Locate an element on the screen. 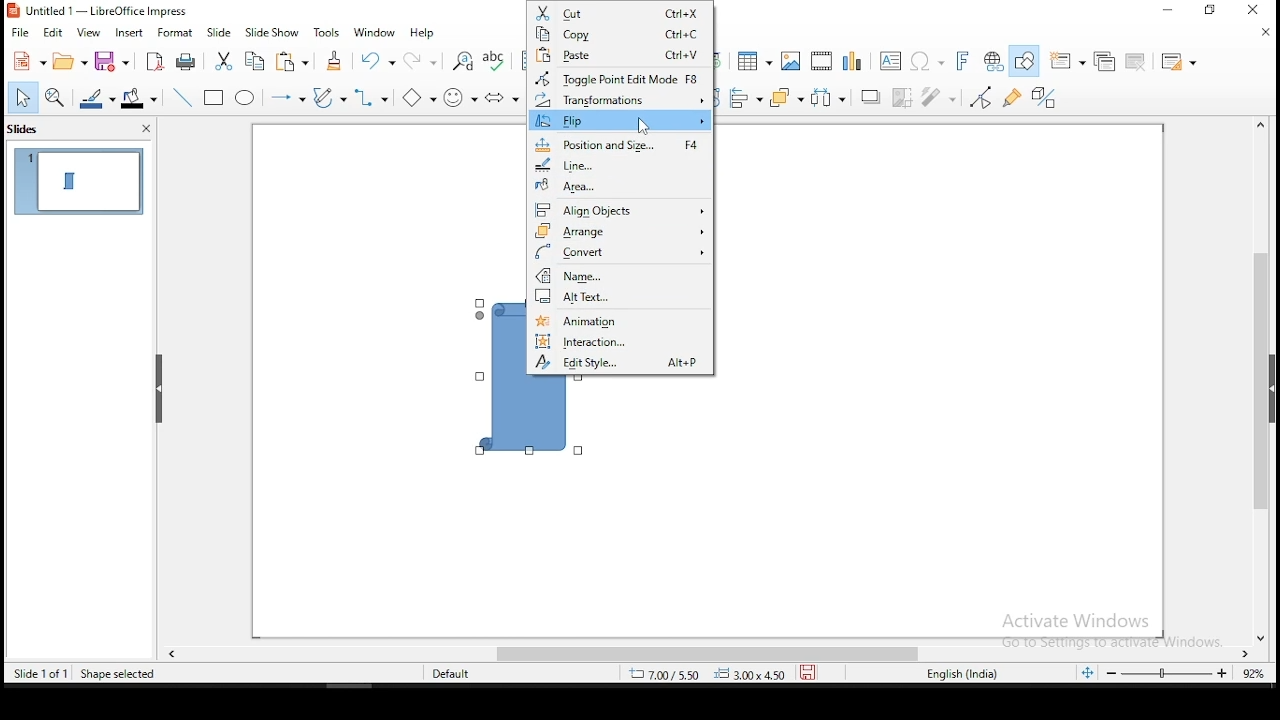 This screenshot has height=720, width=1280. crop image is located at coordinates (902, 96).